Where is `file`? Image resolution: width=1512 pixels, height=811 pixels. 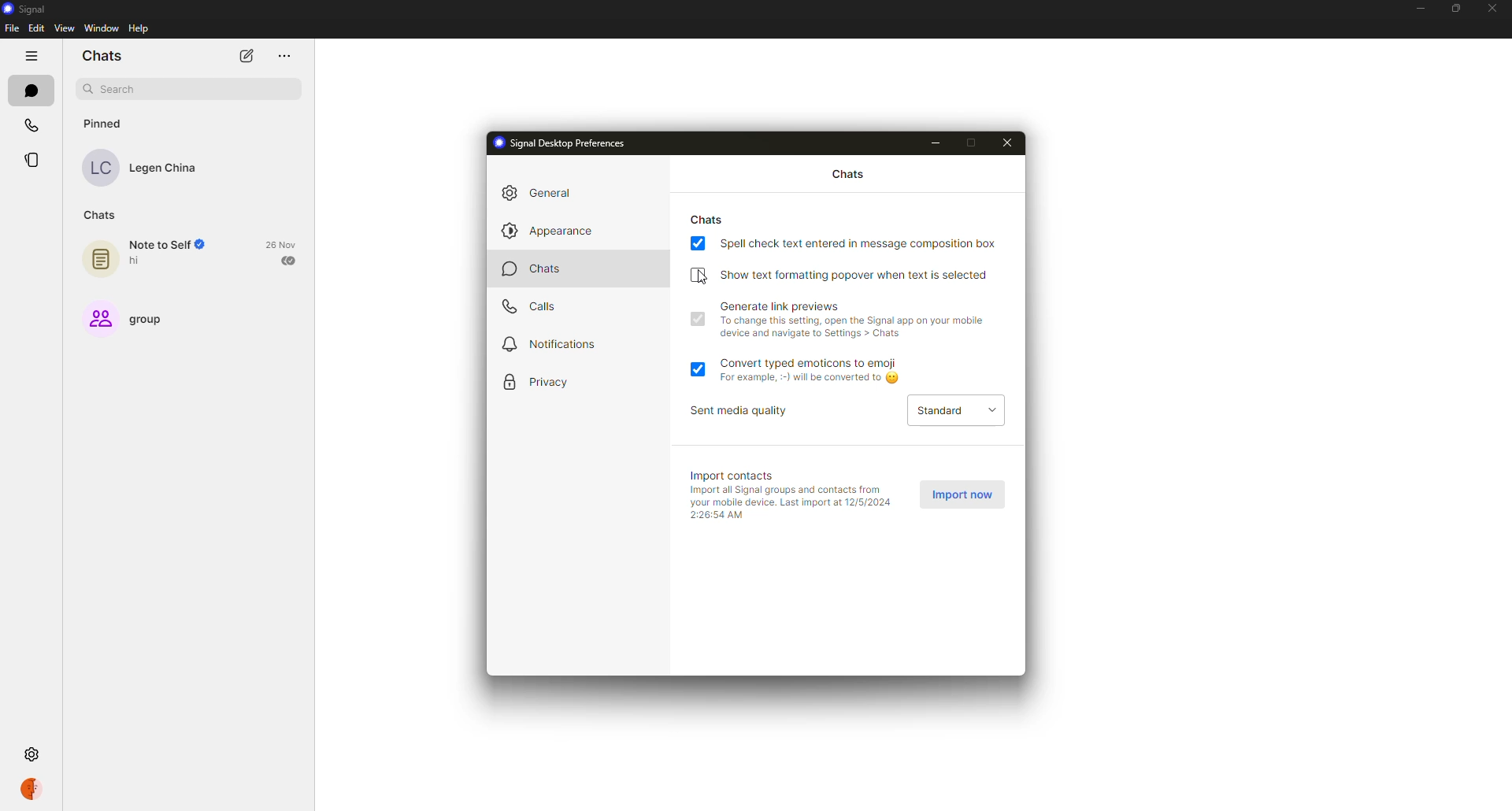
file is located at coordinates (12, 28).